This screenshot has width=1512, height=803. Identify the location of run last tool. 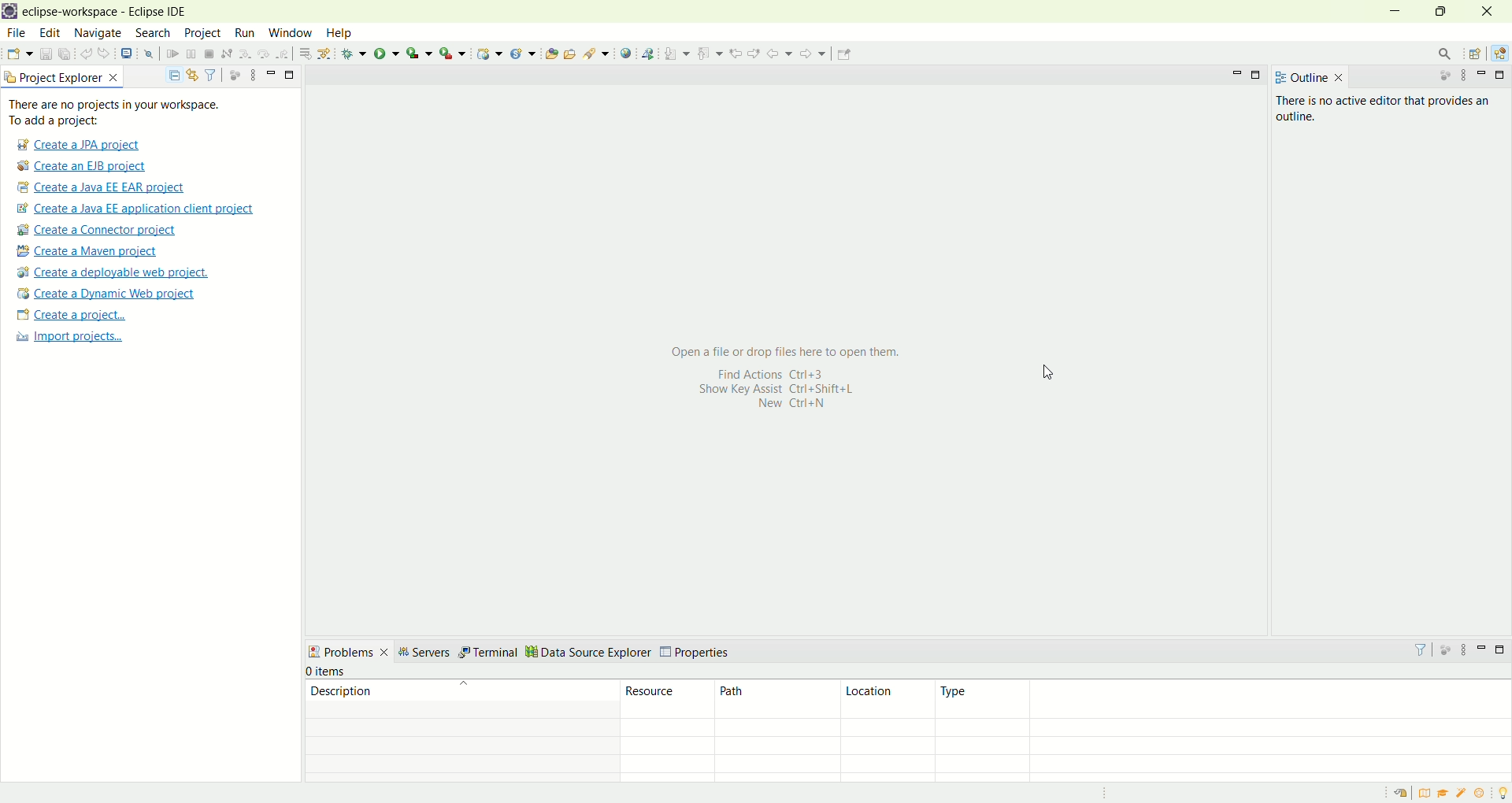
(451, 54).